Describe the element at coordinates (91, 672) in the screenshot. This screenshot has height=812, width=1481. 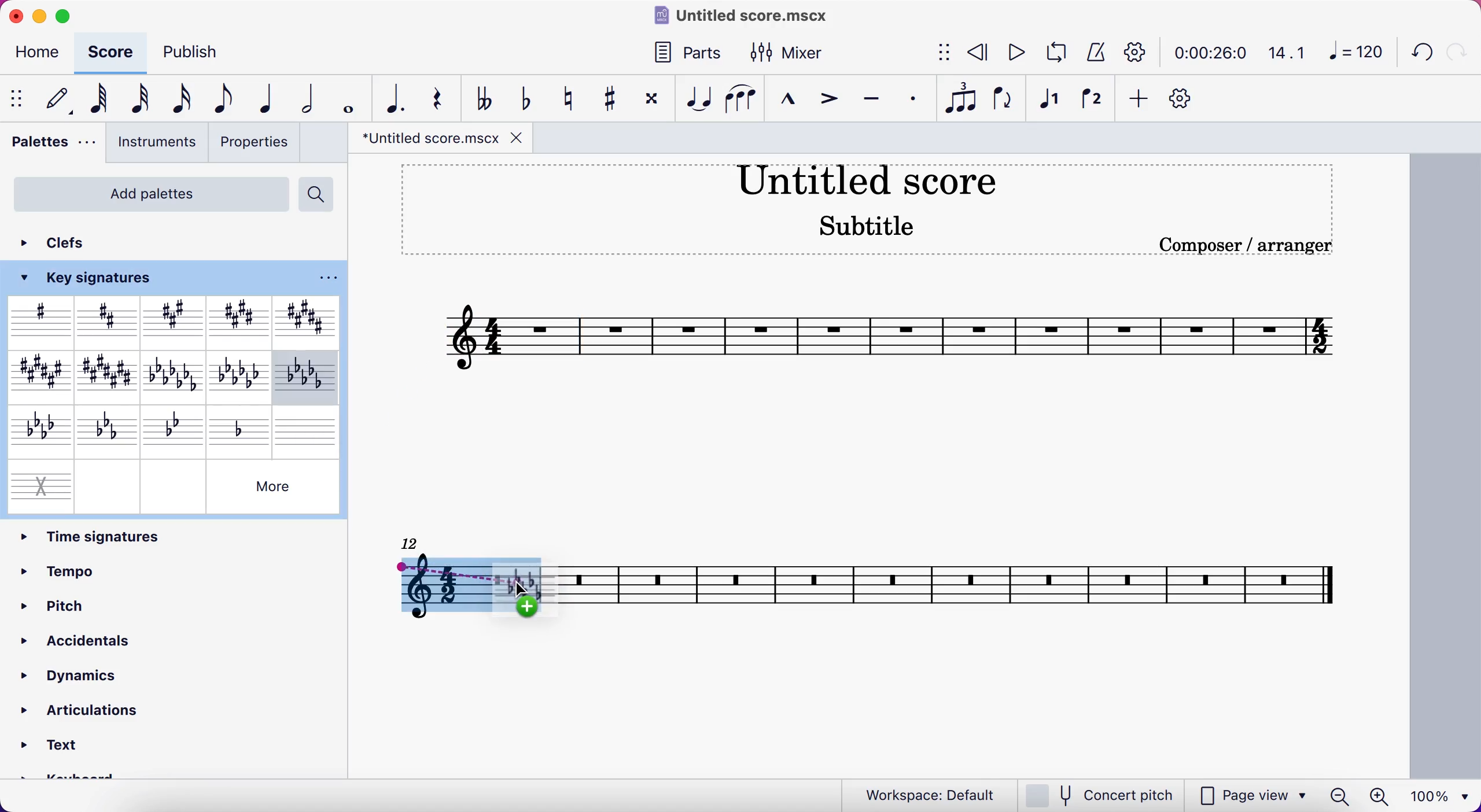
I see `dynamics` at that location.